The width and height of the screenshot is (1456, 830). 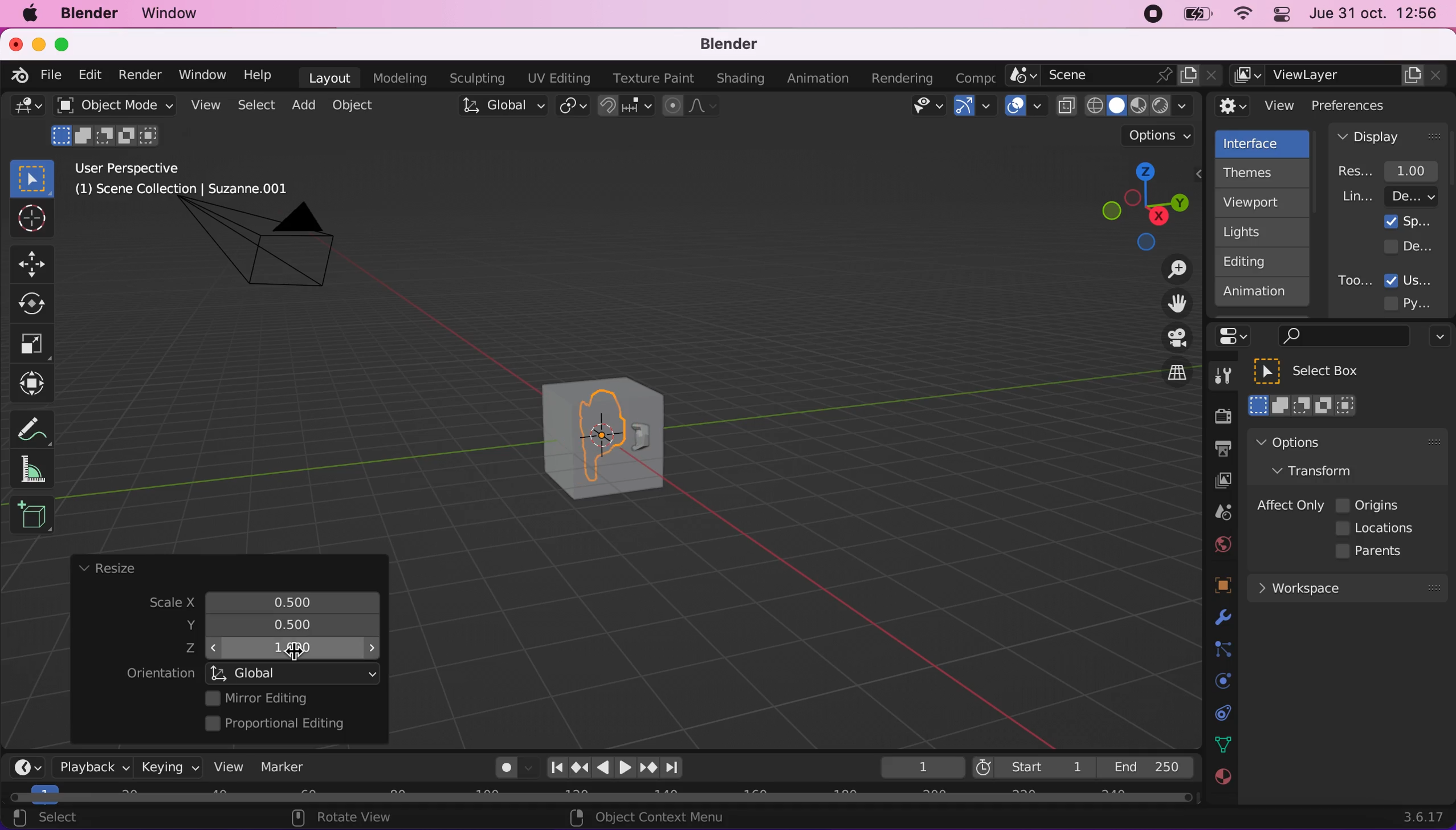 I want to click on jump to endpoint, so click(x=678, y=768).